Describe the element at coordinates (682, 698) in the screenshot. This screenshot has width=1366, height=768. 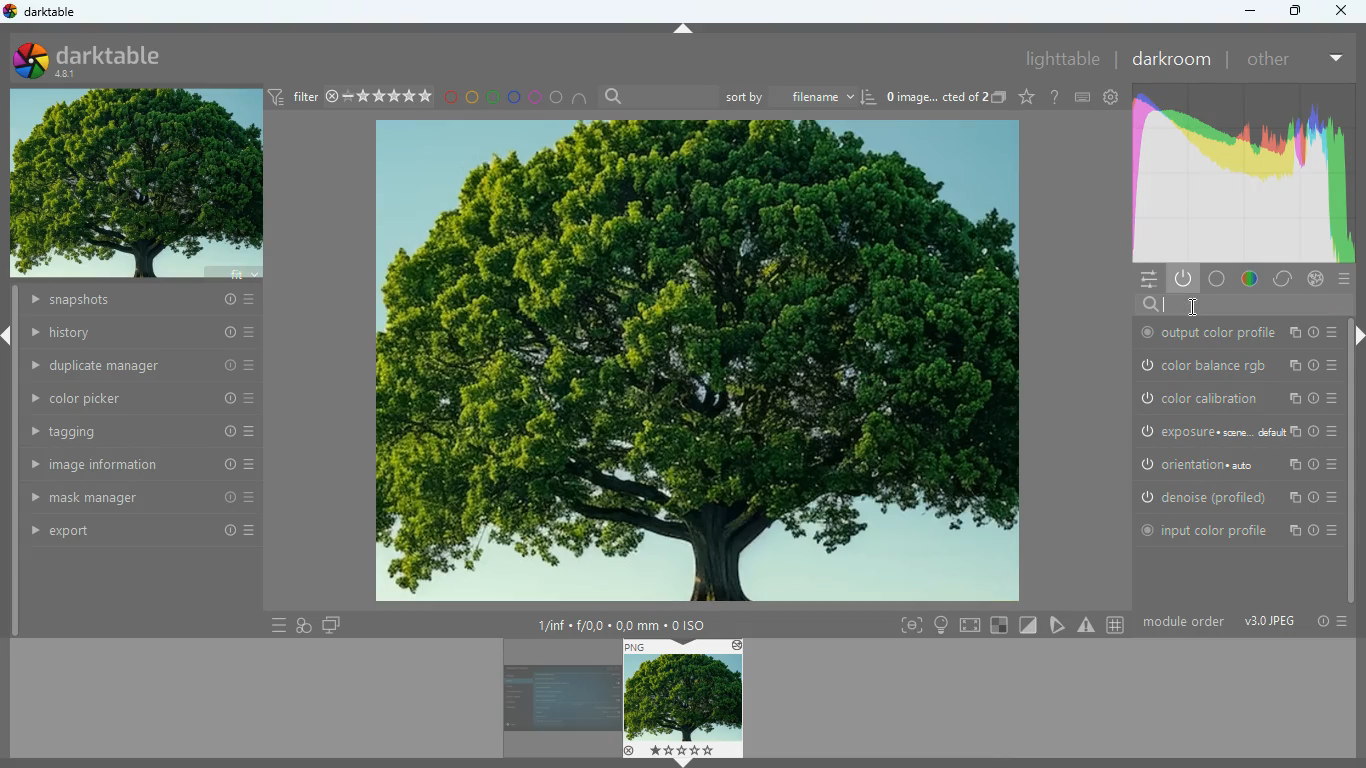
I see `image` at that location.